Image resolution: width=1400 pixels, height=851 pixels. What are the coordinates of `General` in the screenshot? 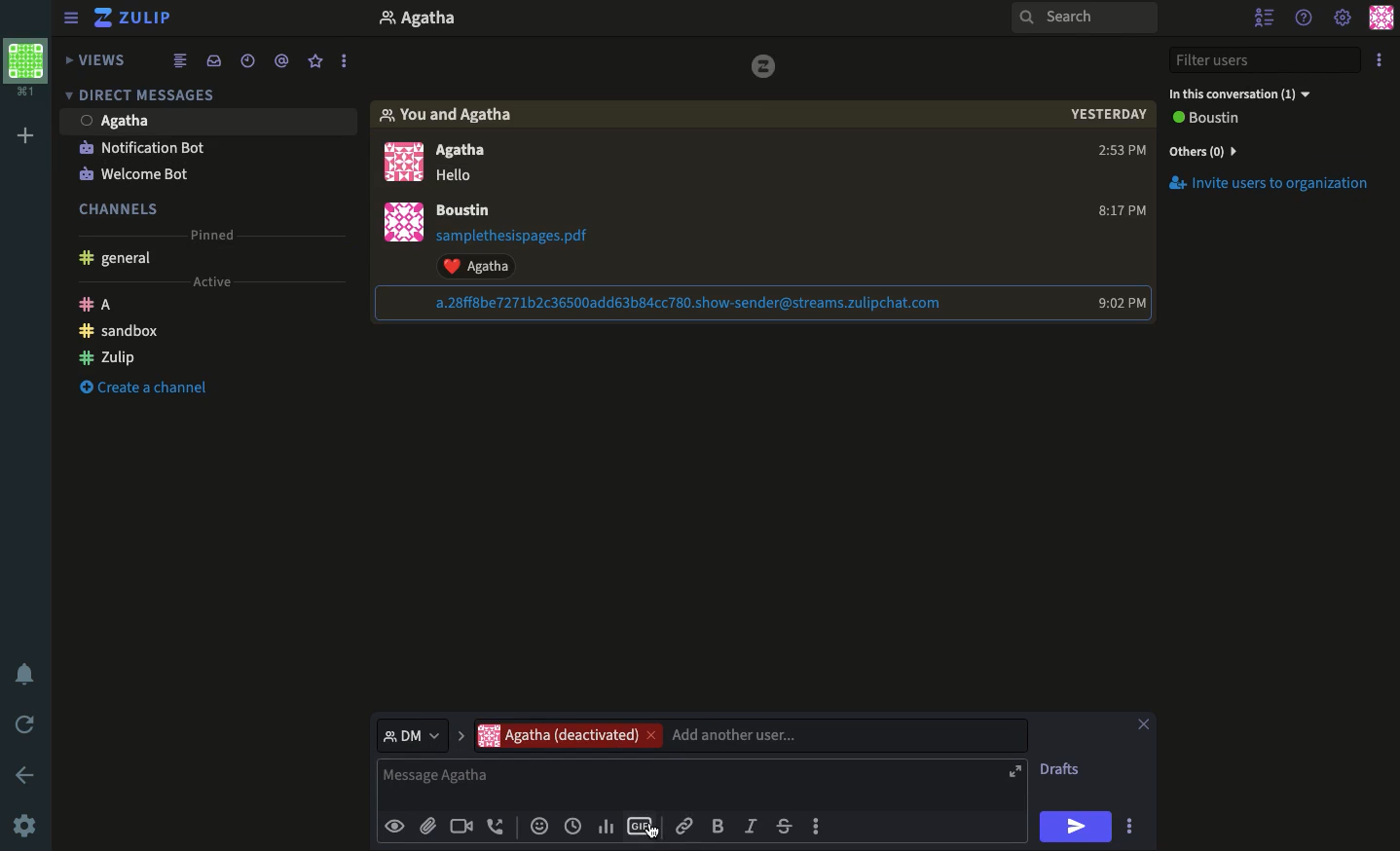 It's located at (121, 260).